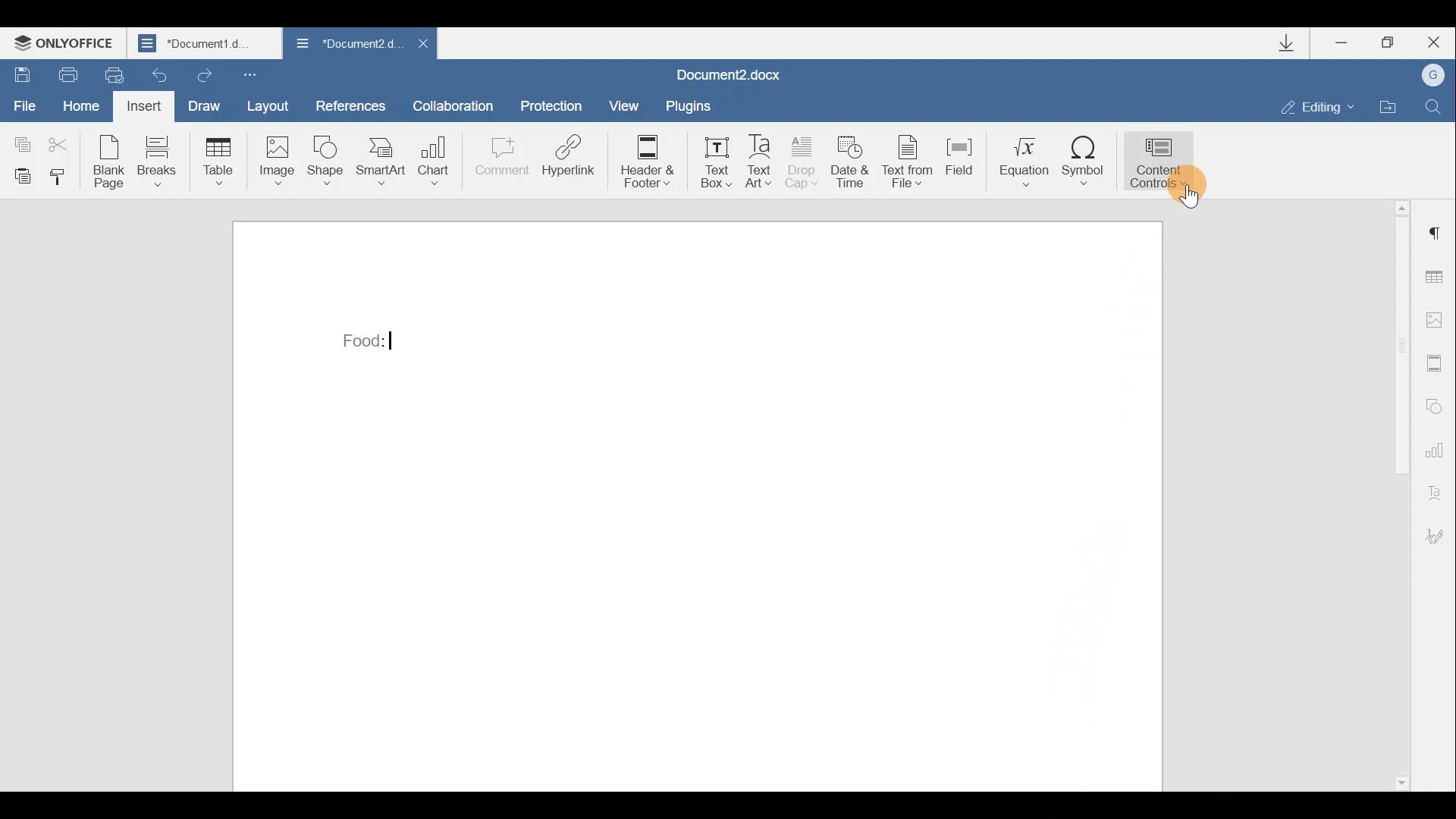  I want to click on Document1 d.., so click(206, 42).